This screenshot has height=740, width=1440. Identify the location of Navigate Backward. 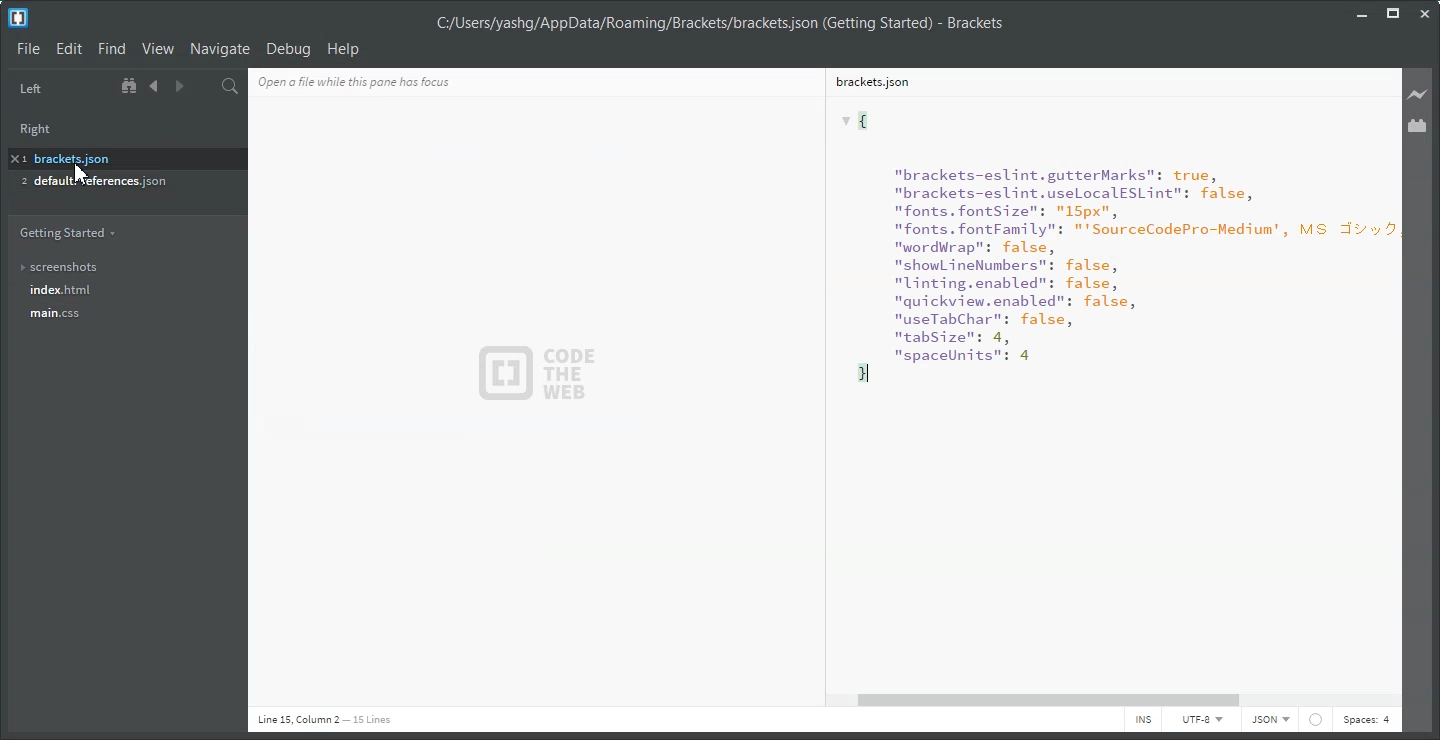
(154, 86).